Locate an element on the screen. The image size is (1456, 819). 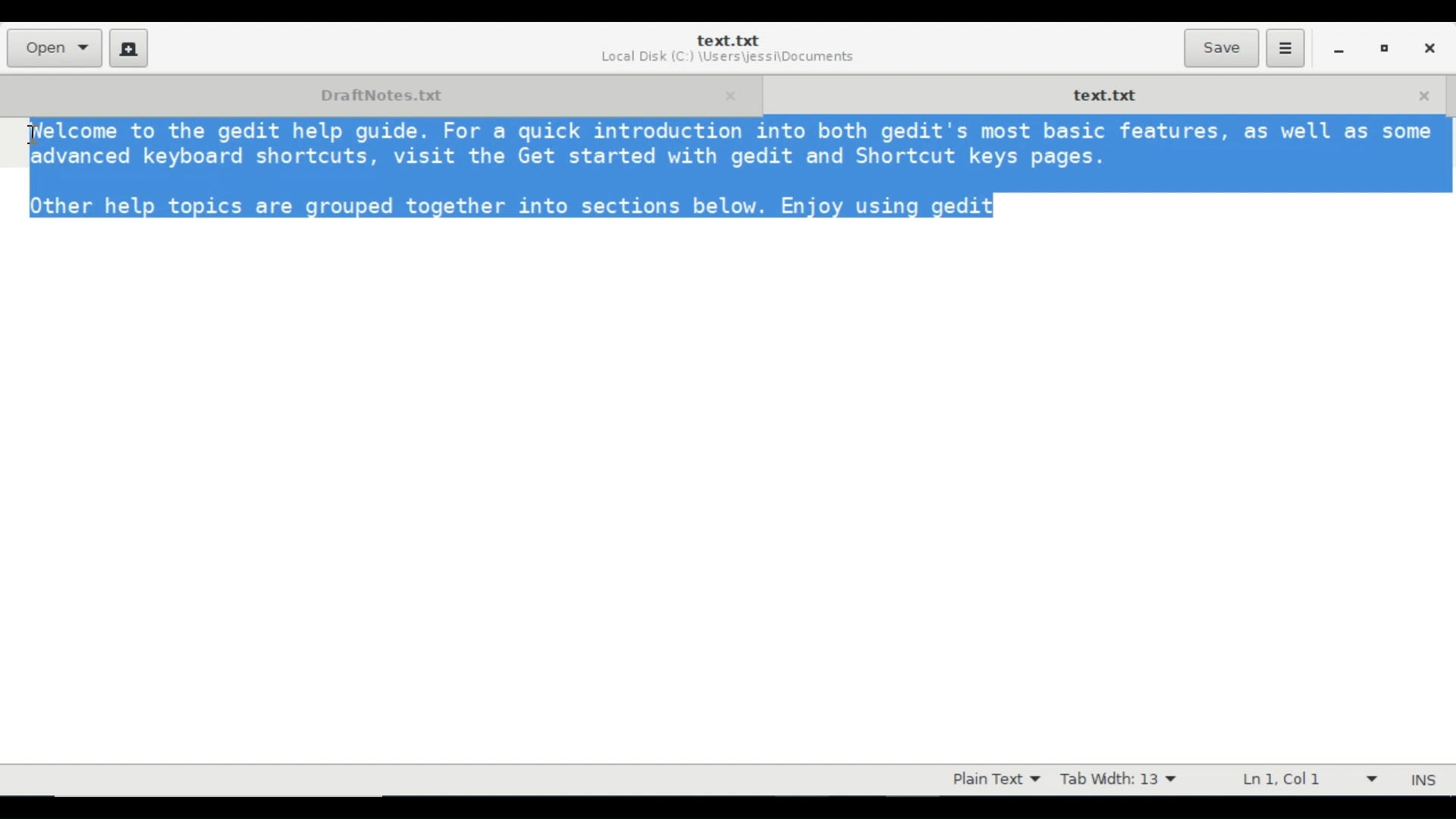
Open Tab is located at coordinates (378, 93).